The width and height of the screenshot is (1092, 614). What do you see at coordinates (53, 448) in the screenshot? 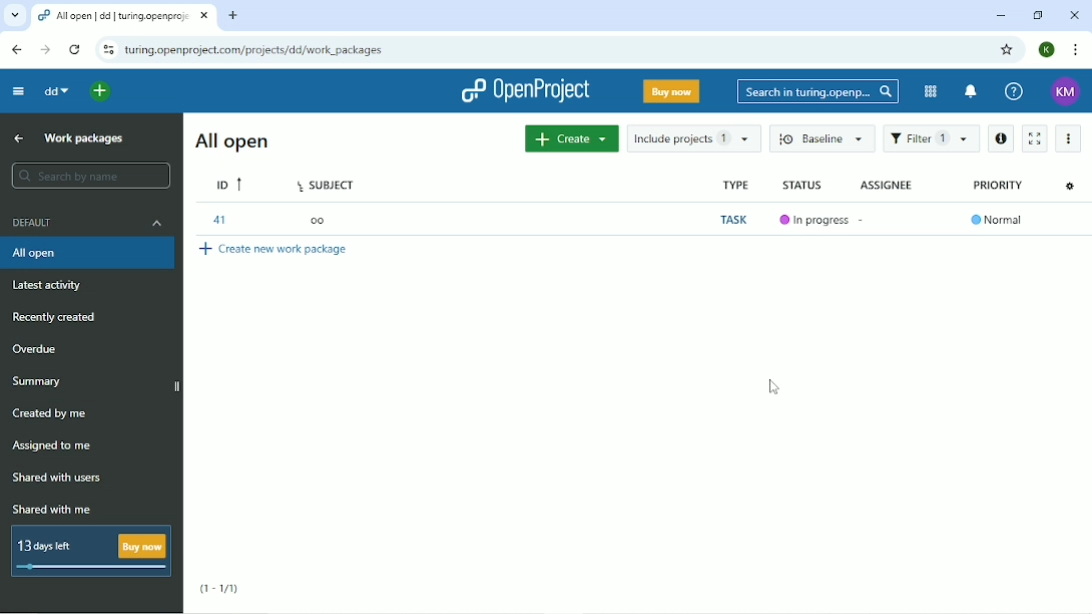
I see `Assigned to me` at bounding box center [53, 448].